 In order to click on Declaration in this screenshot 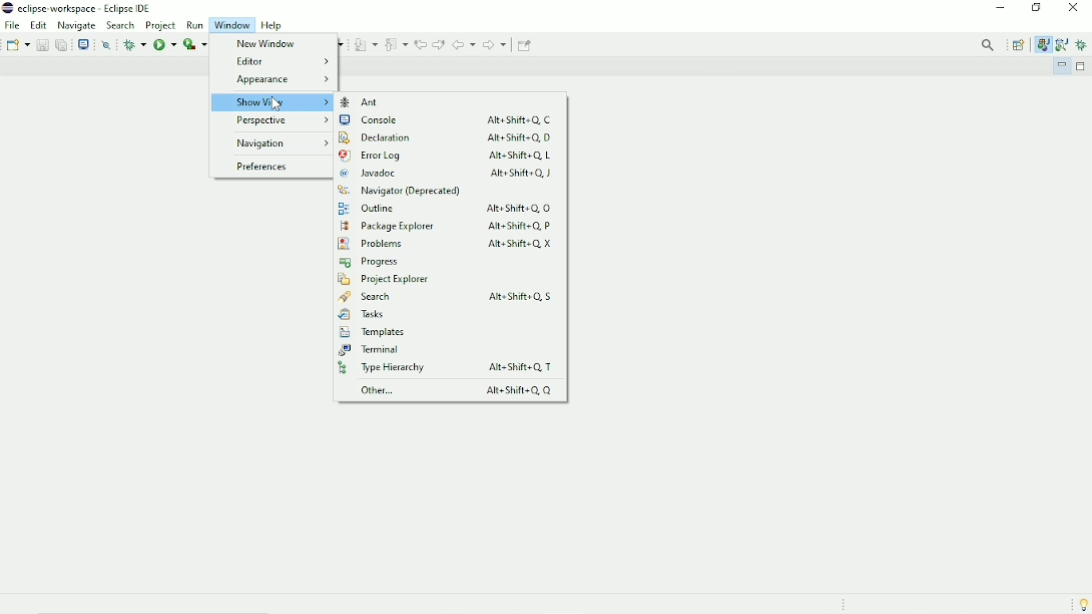, I will do `click(444, 137)`.